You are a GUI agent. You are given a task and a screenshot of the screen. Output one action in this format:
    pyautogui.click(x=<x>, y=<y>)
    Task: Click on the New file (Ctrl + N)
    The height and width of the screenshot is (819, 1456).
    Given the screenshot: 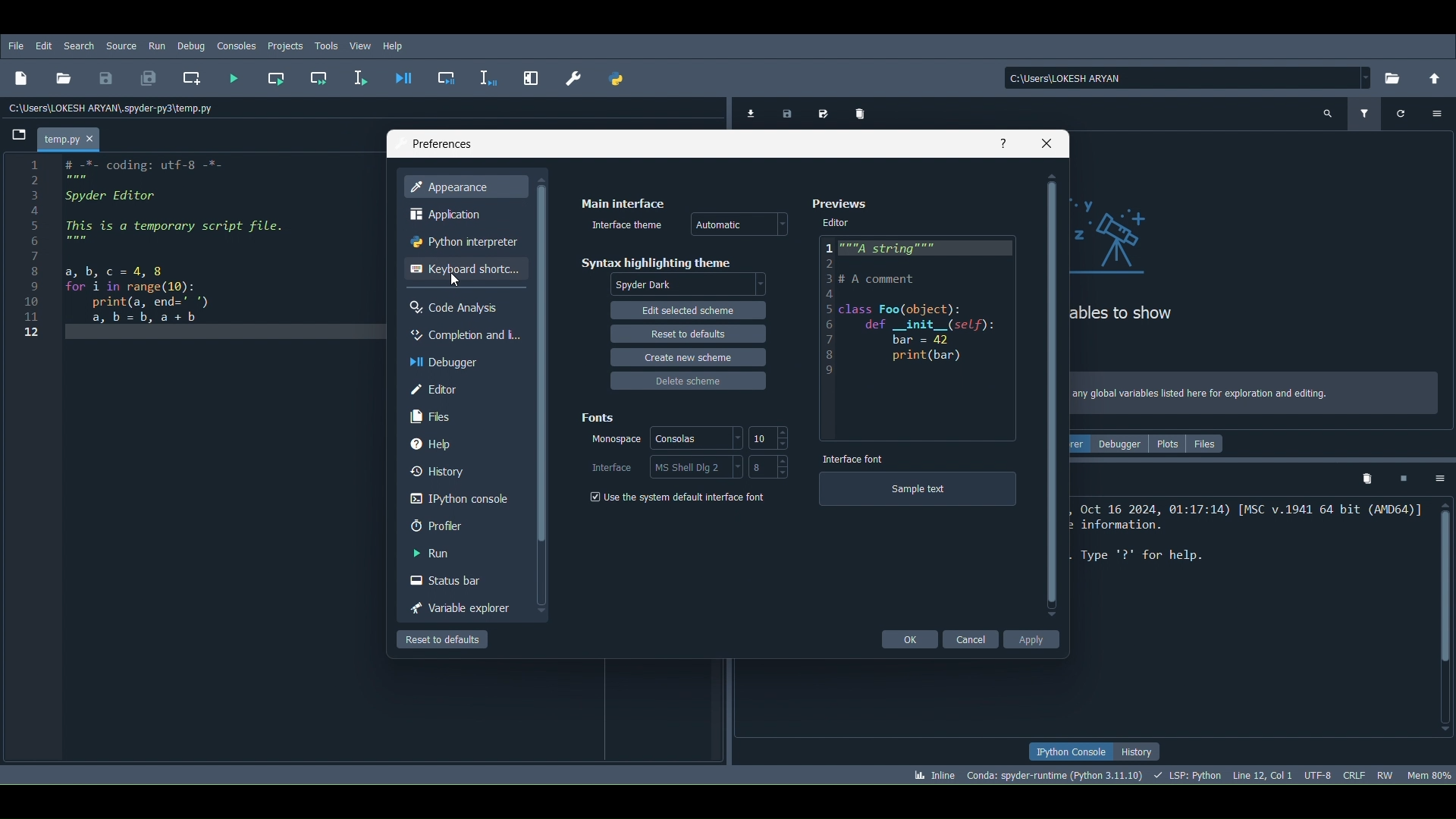 What is the action you would take?
    pyautogui.click(x=20, y=77)
    